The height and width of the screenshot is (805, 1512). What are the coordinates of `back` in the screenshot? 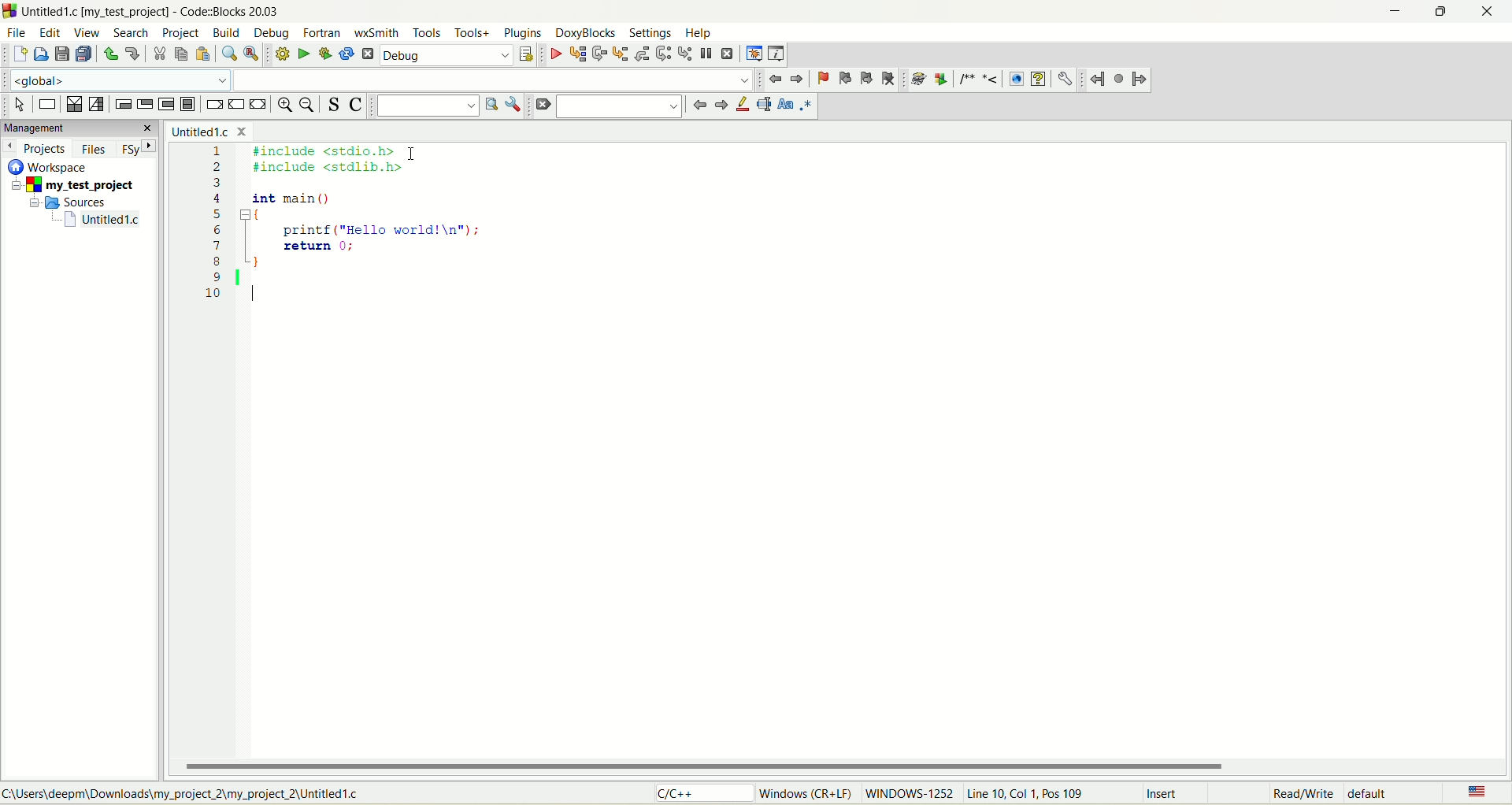 It's located at (796, 79).